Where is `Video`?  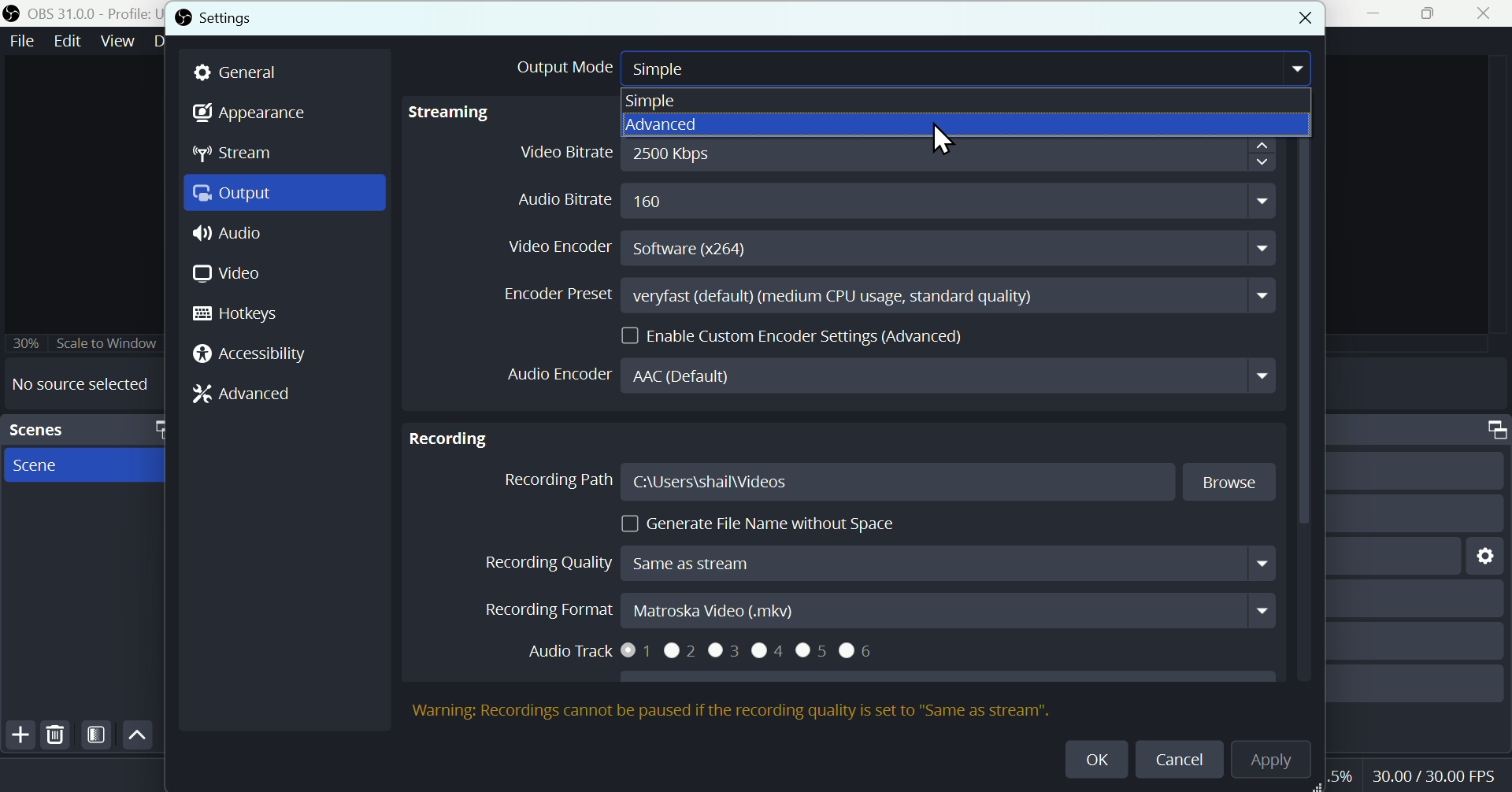
Video is located at coordinates (226, 275).